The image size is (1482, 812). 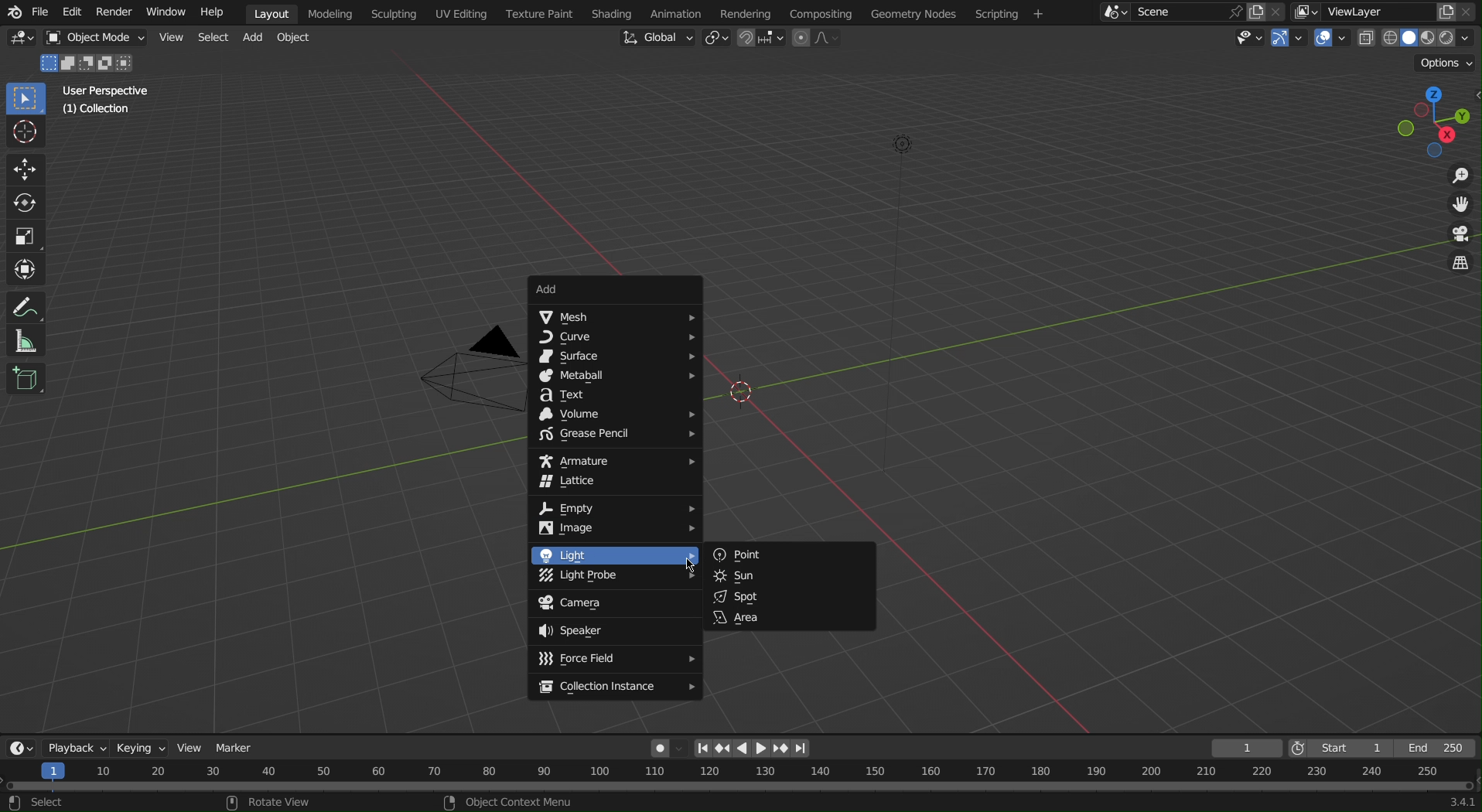 I want to click on Show Overlays, so click(x=1331, y=40).